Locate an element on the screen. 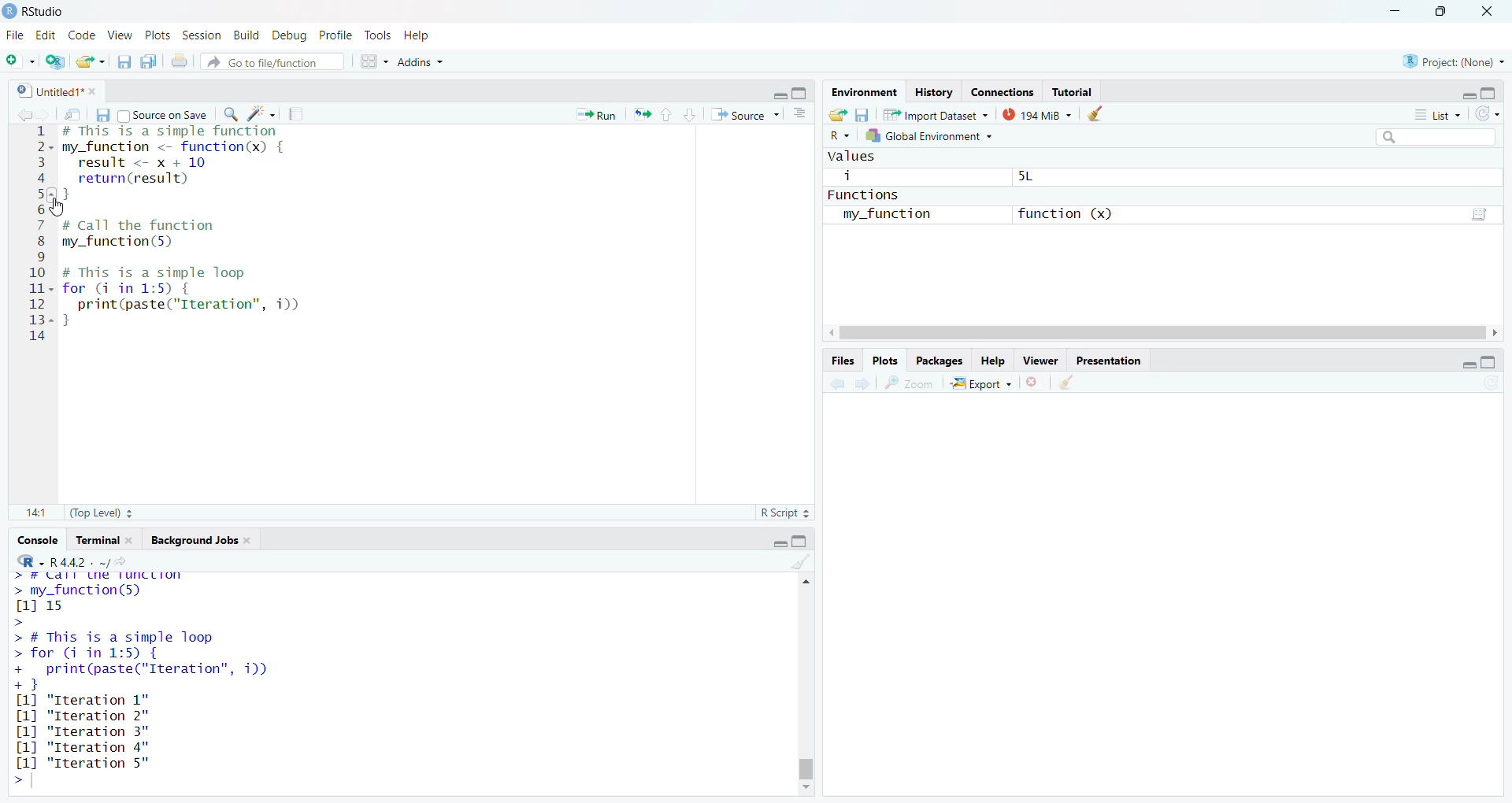 The height and width of the screenshot is (803, 1512). 194 MiB is located at coordinates (1036, 117).